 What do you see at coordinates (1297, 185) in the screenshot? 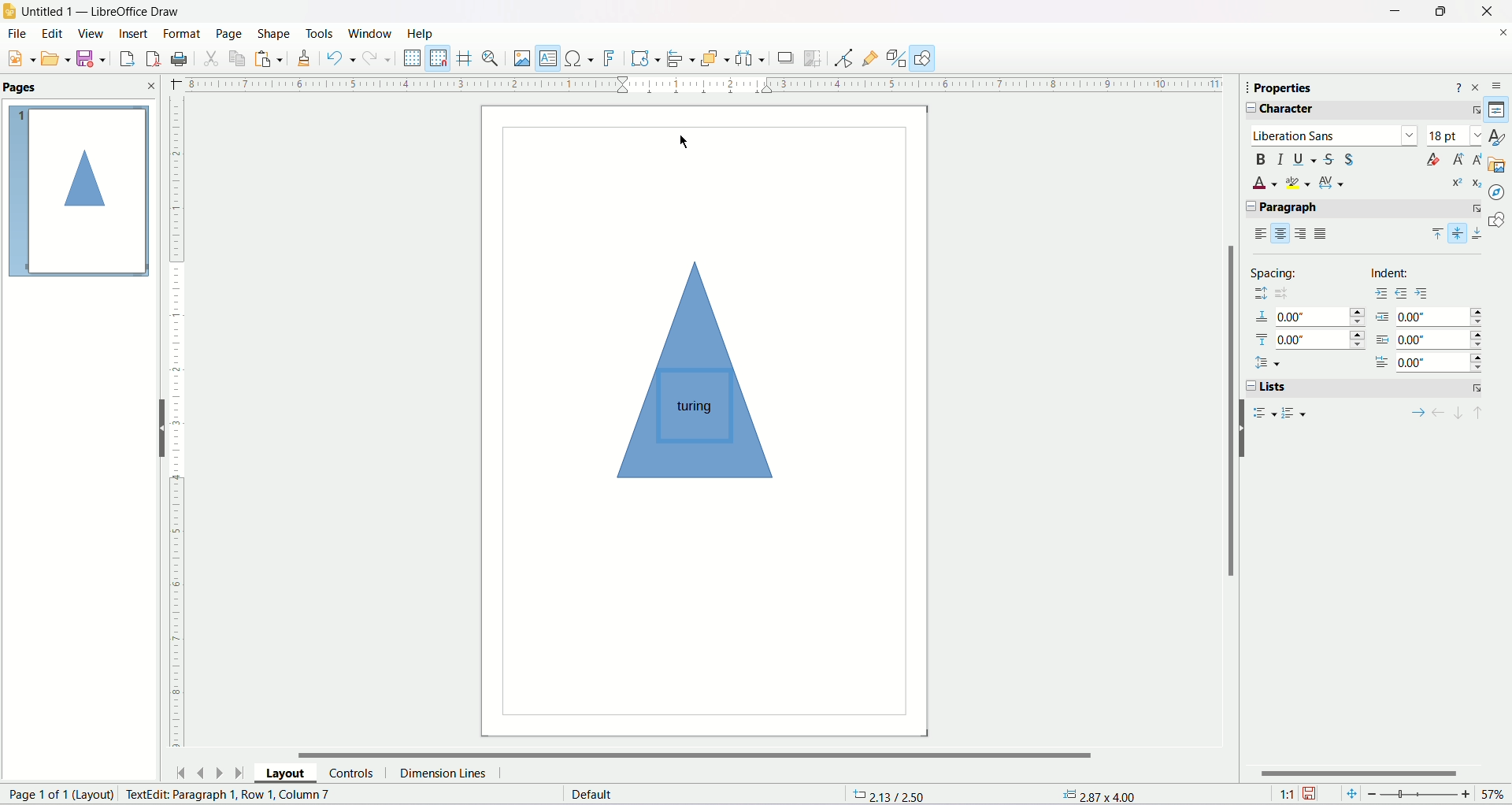
I see `highlighting` at bounding box center [1297, 185].